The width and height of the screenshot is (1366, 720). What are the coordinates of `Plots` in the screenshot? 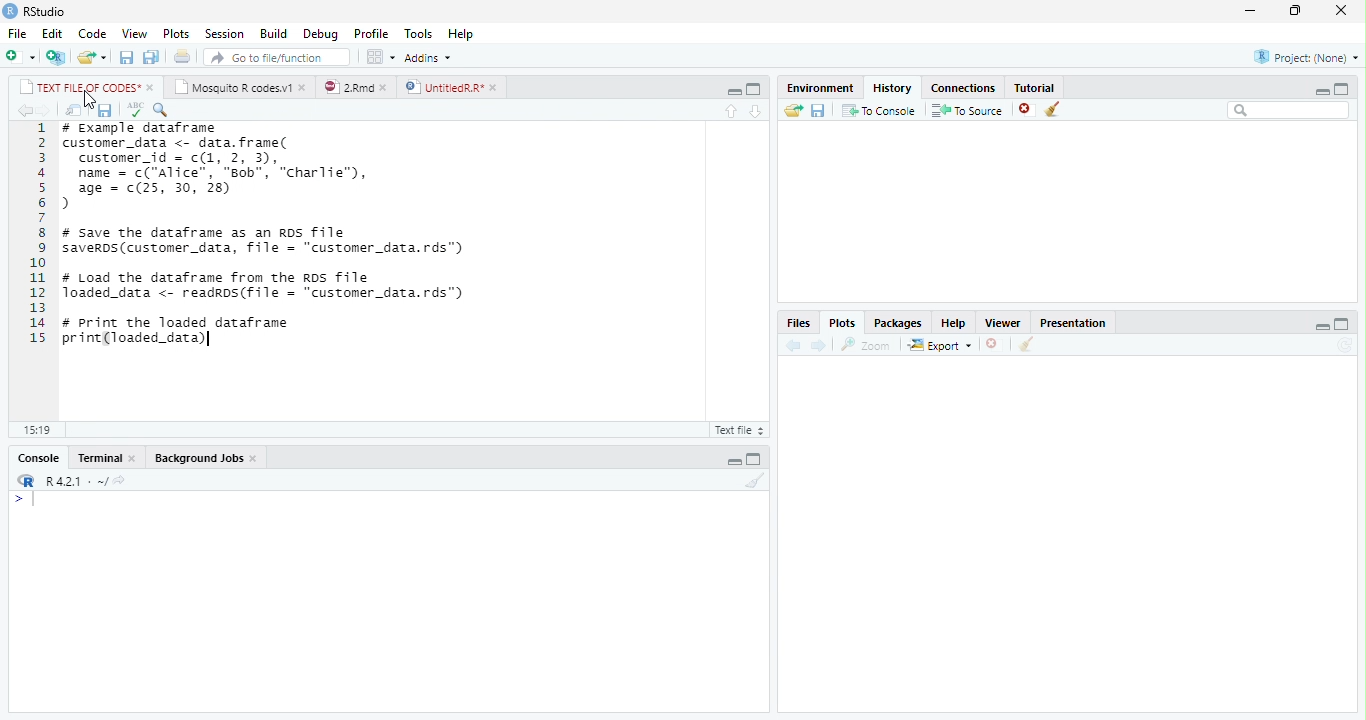 It's located at (175, 34).